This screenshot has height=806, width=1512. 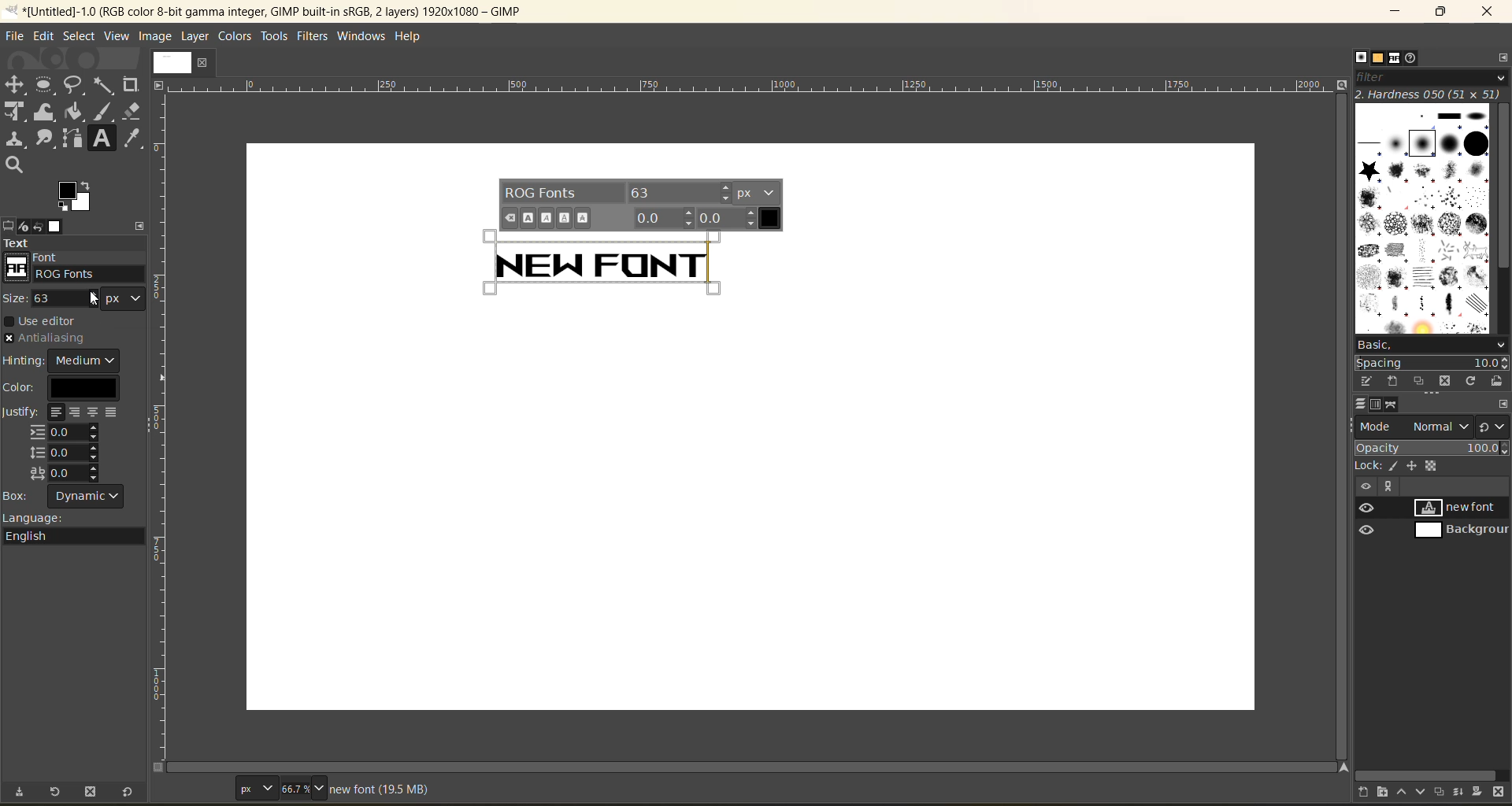 I want to click on metadata, so click(x=384, y=788).